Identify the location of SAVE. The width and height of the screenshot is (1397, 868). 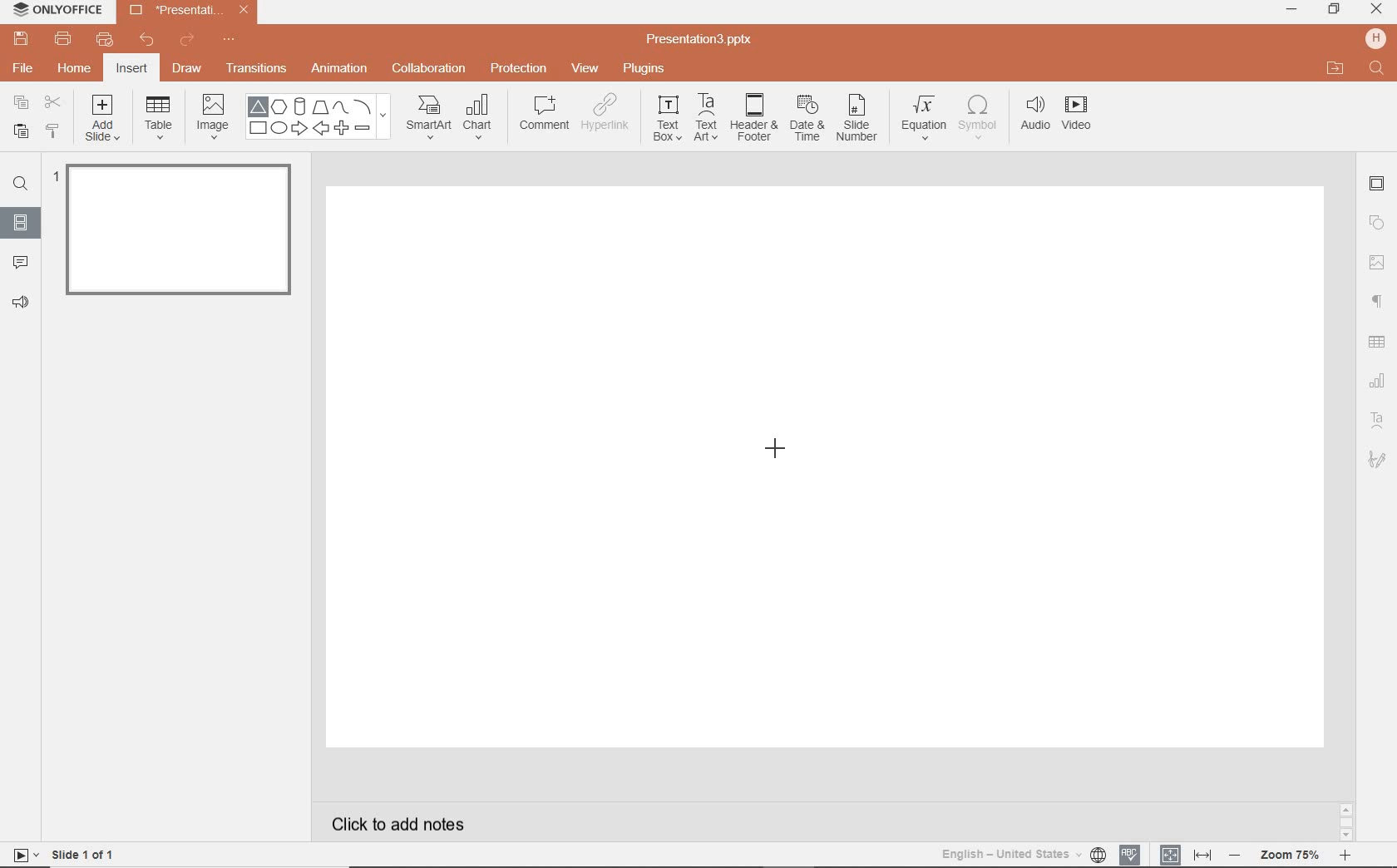
(23, 37).